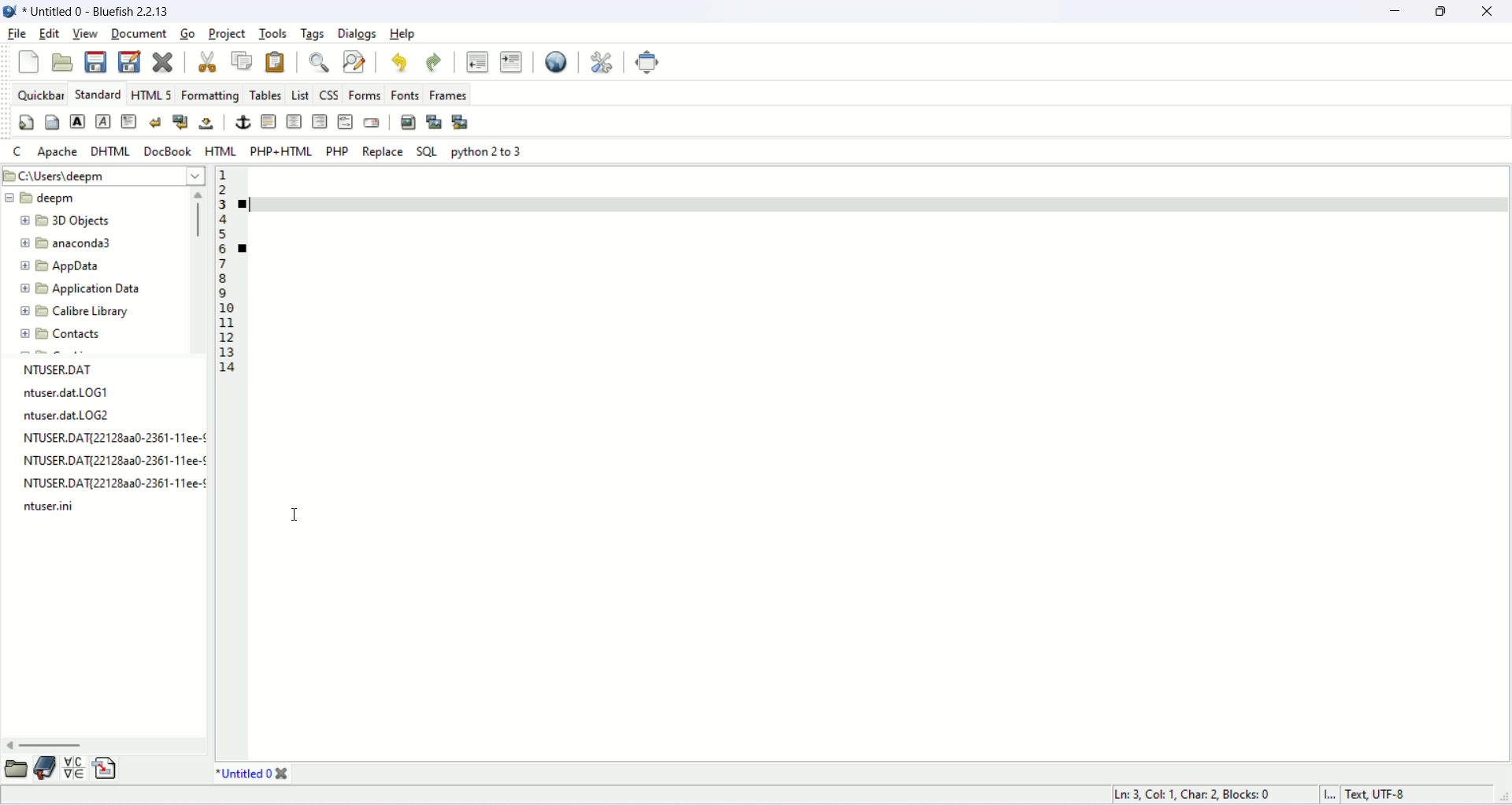  I want to click on multi thumbnail, so click(460, 121).